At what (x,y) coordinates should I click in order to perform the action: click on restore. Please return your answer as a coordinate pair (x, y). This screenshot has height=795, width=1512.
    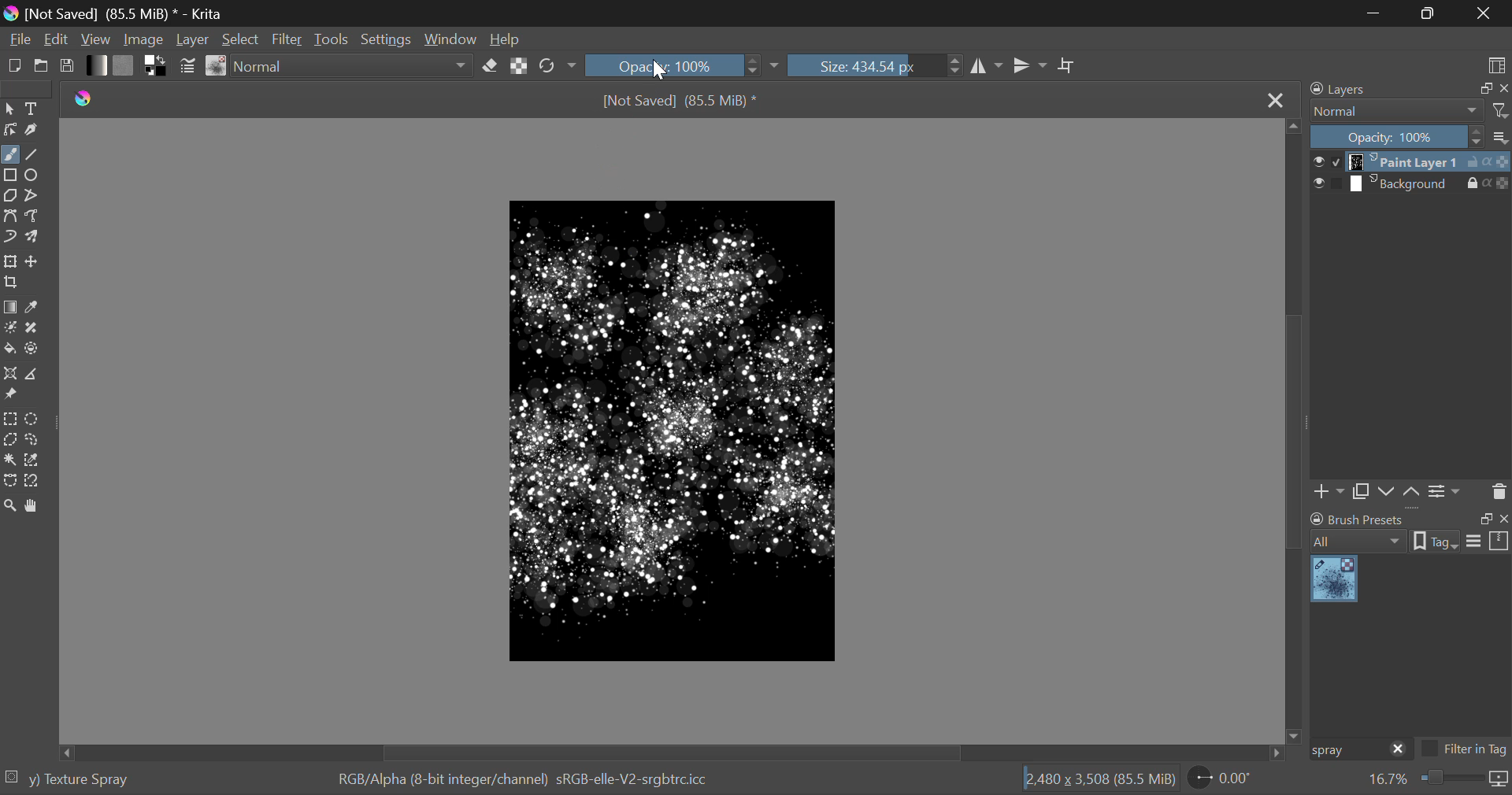
    Looking at the image, I should click on (1483, 519).